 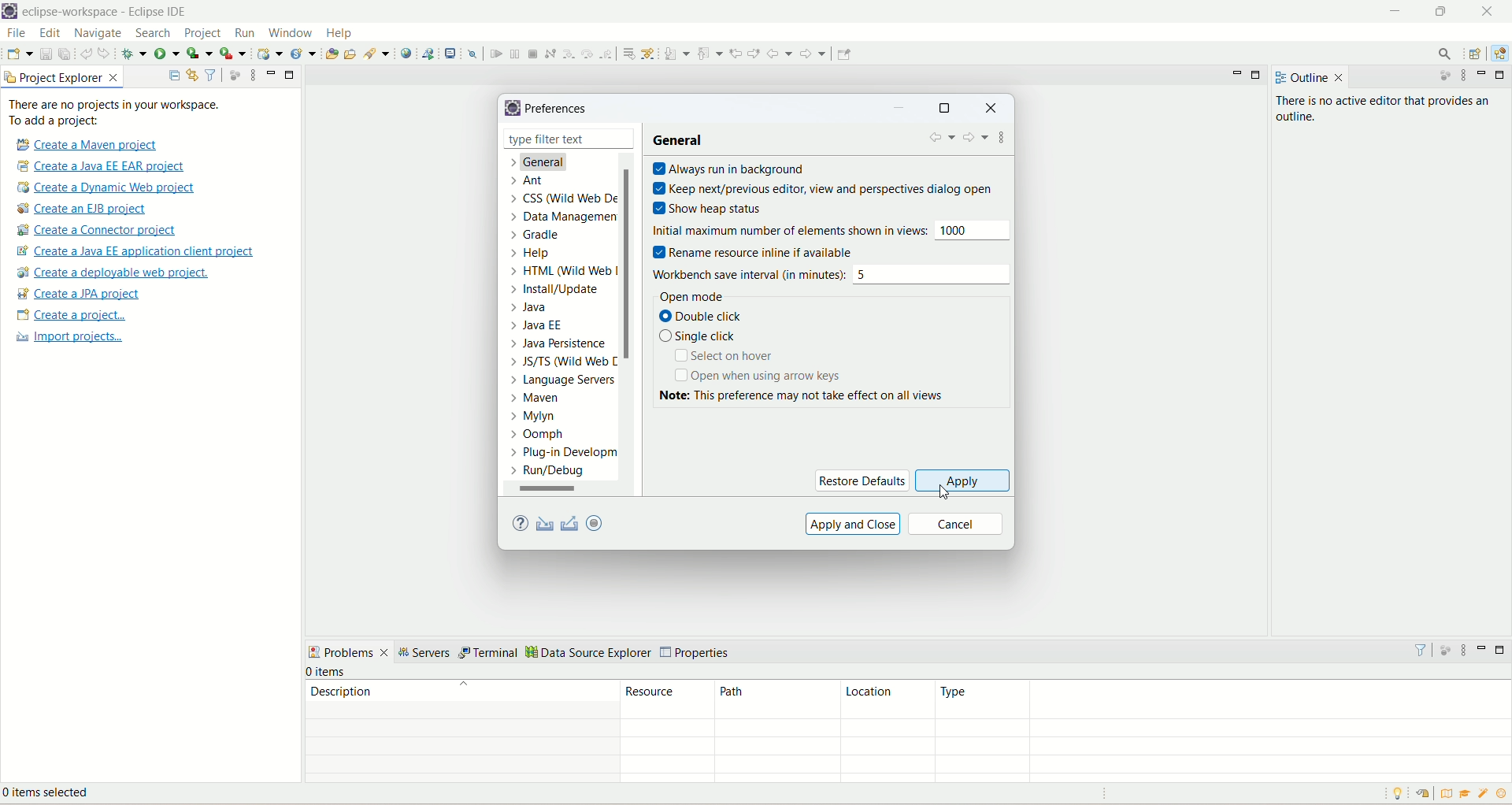 I want to click on undo, so click(x=86, y=52).